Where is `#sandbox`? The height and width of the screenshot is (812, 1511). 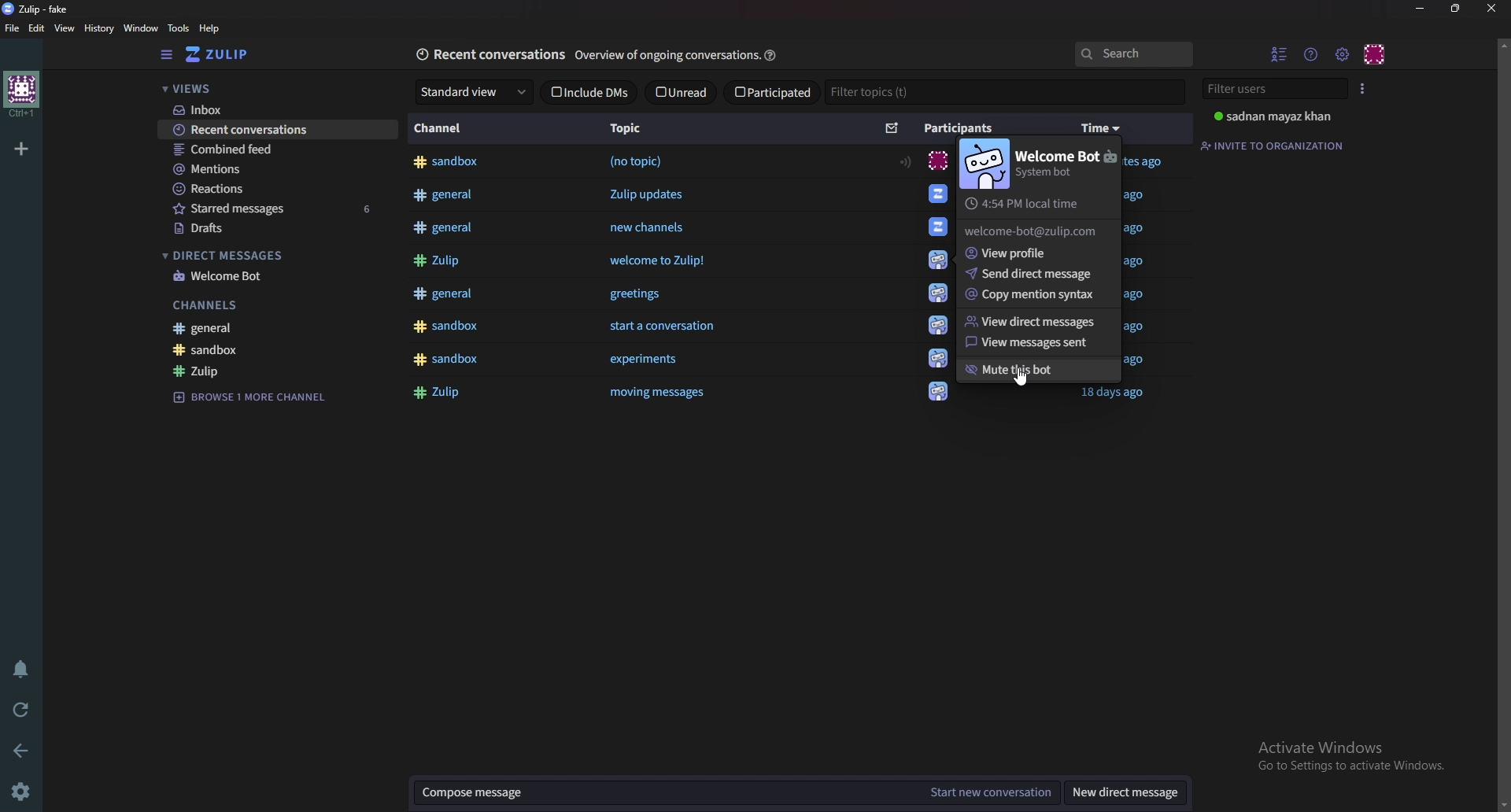 #sandbox is located at coordinates (453, 360).